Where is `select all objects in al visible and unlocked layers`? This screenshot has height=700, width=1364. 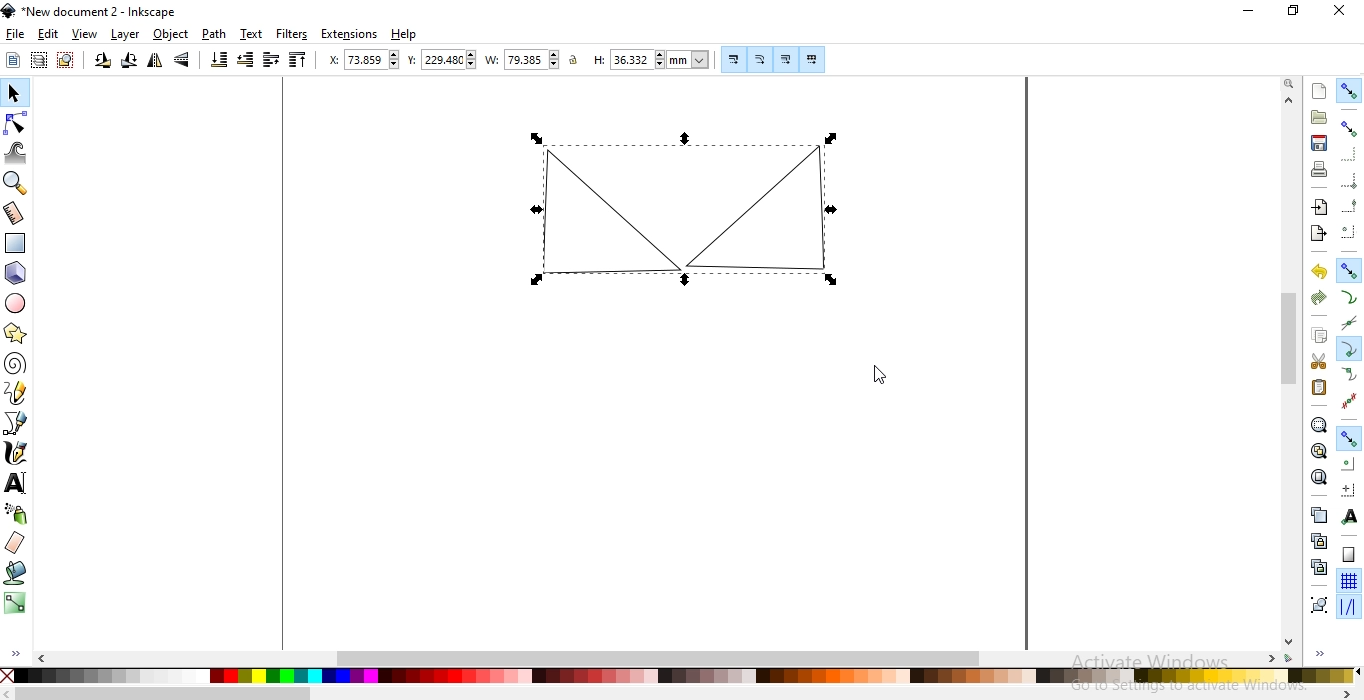
select all objects in al visible and unlocked layers is located at coordinates (38, 62).